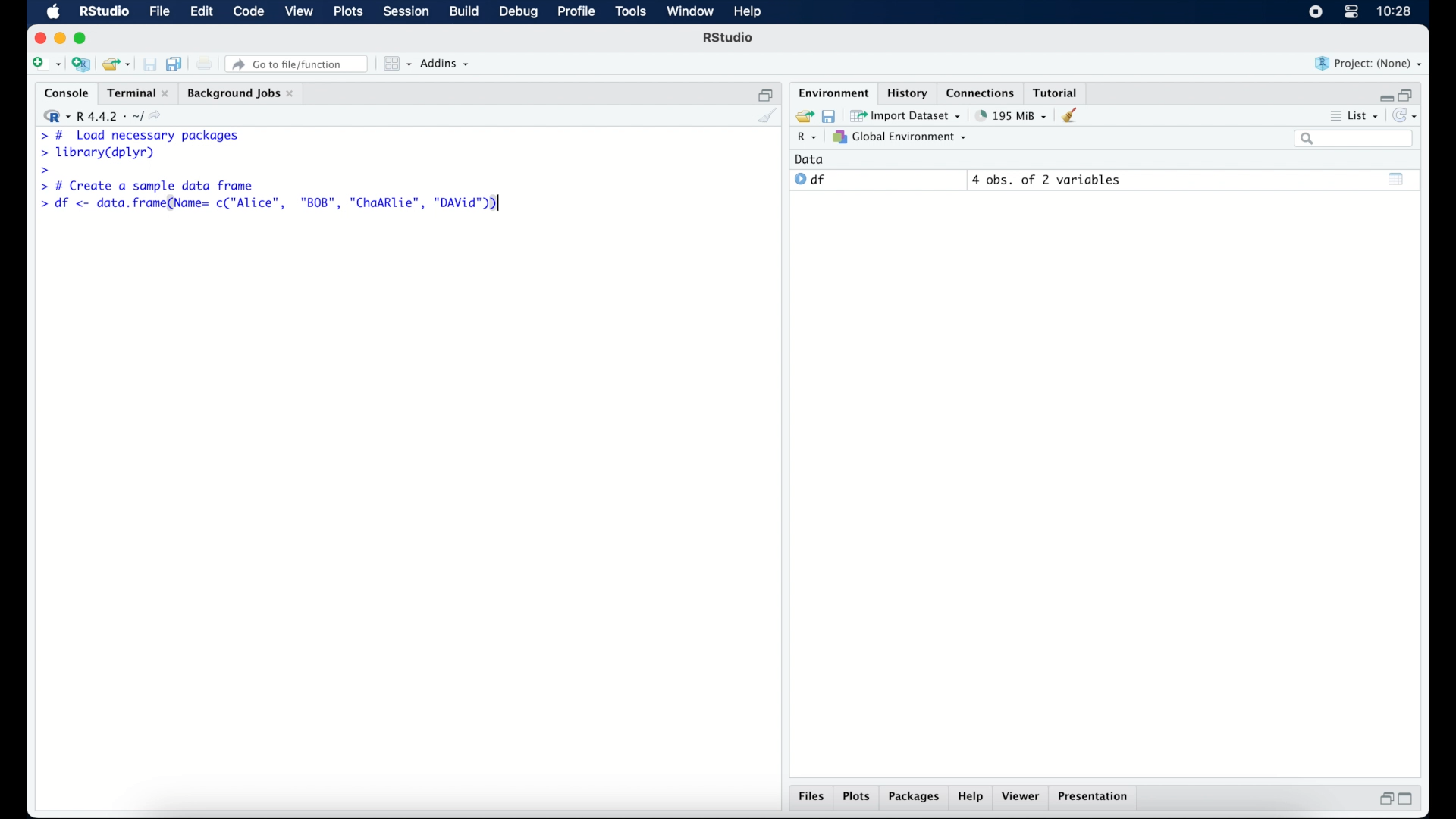 Image resolution: width=1456 pixels, height=819 pixels. I want to click on R Studio, so click(104, 12).